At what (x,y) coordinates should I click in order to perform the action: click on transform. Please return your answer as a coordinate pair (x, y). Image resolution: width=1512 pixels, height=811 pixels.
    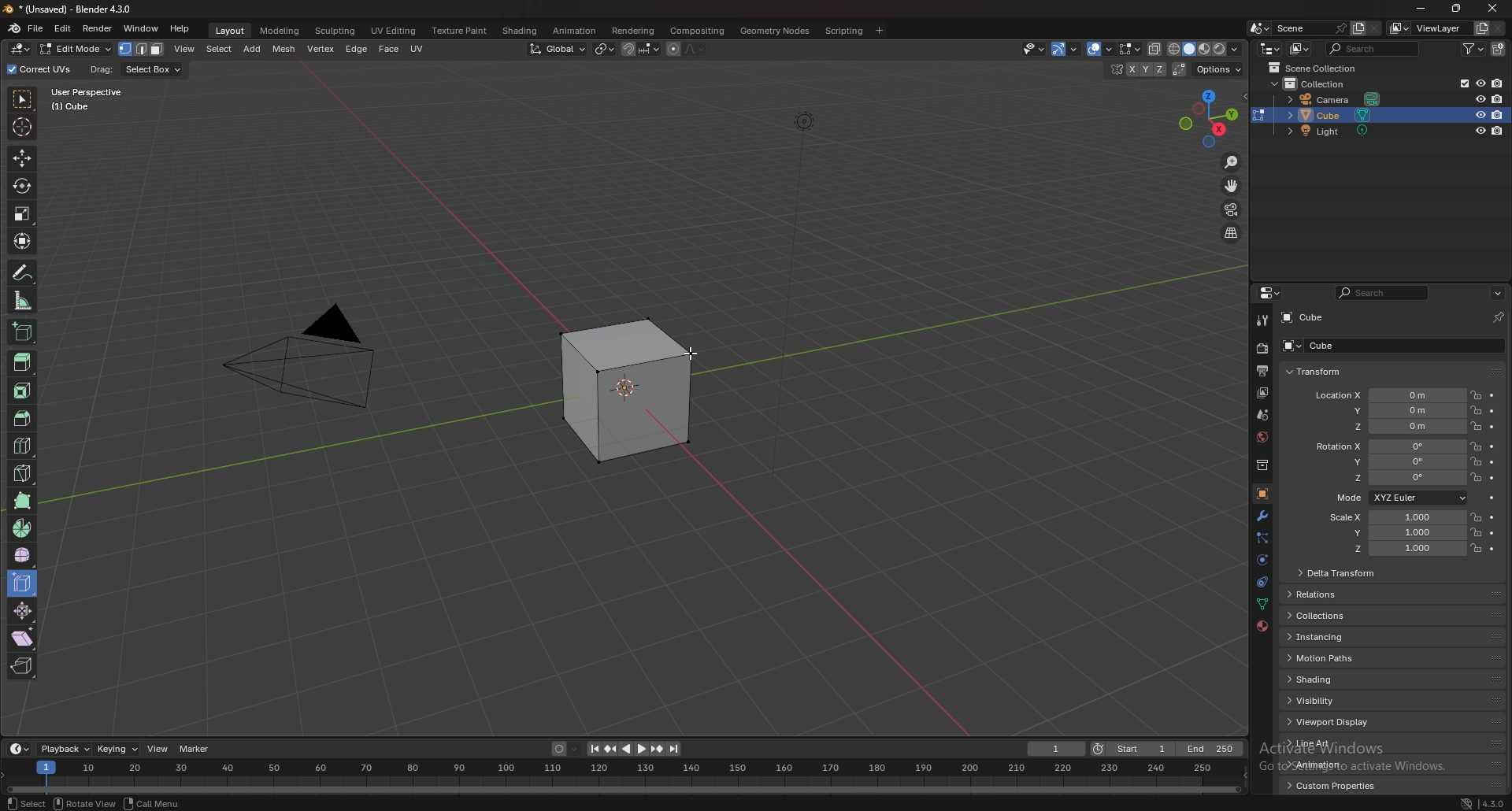
    Looking at the image, I should click on (1316, 371).